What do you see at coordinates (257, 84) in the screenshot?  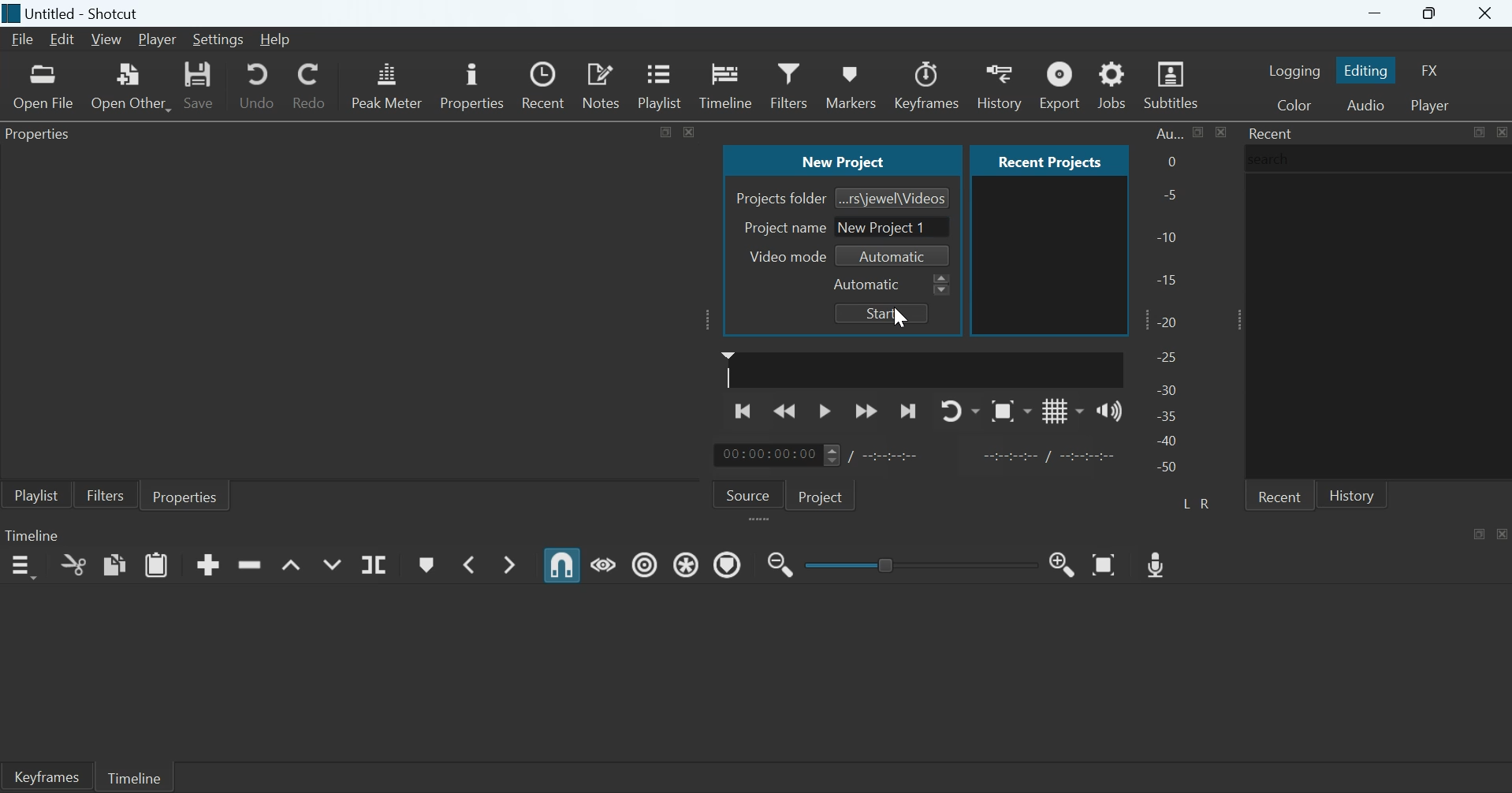 I see `Undo` at bounding box center [257, 84].